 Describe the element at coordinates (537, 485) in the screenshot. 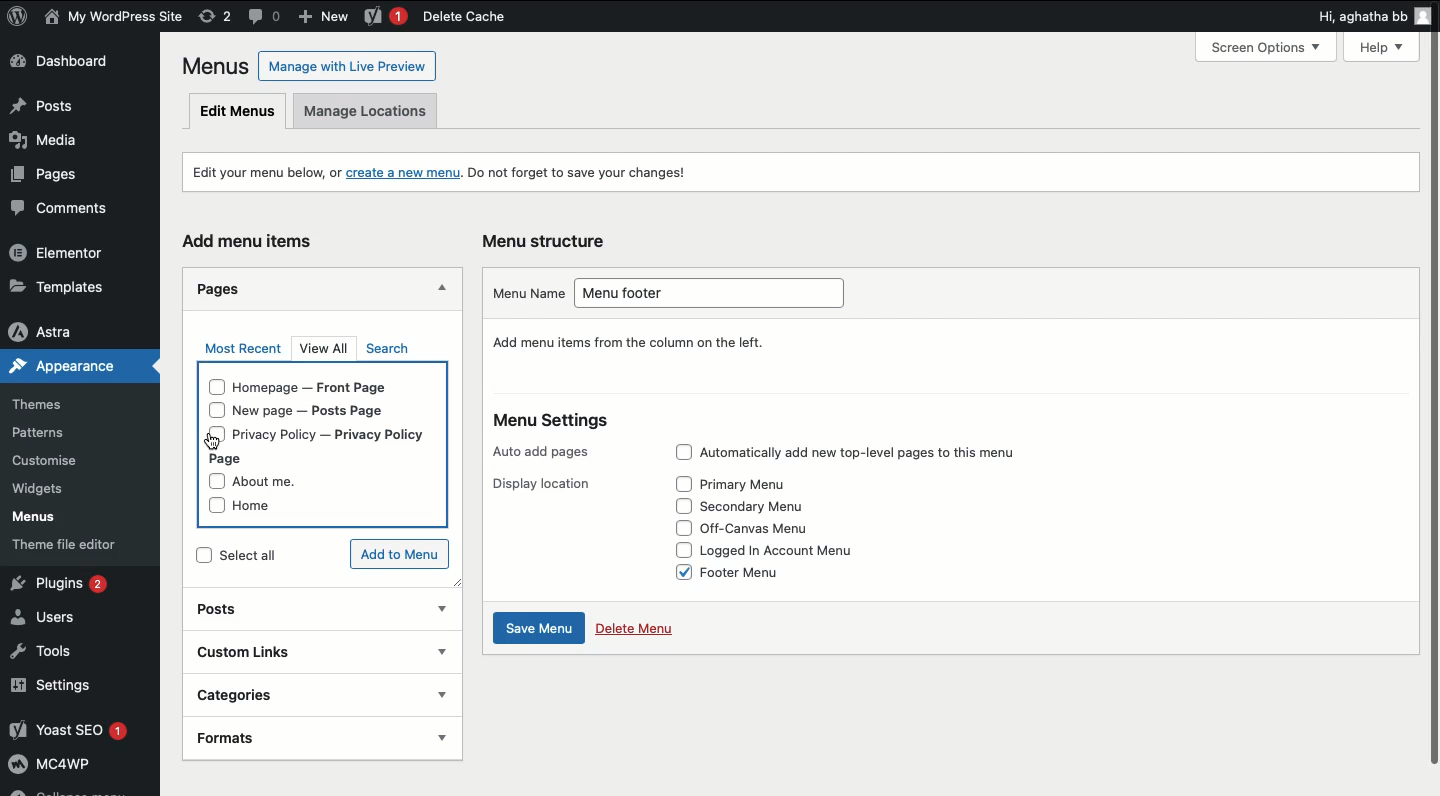

I see `Display location` at that location.